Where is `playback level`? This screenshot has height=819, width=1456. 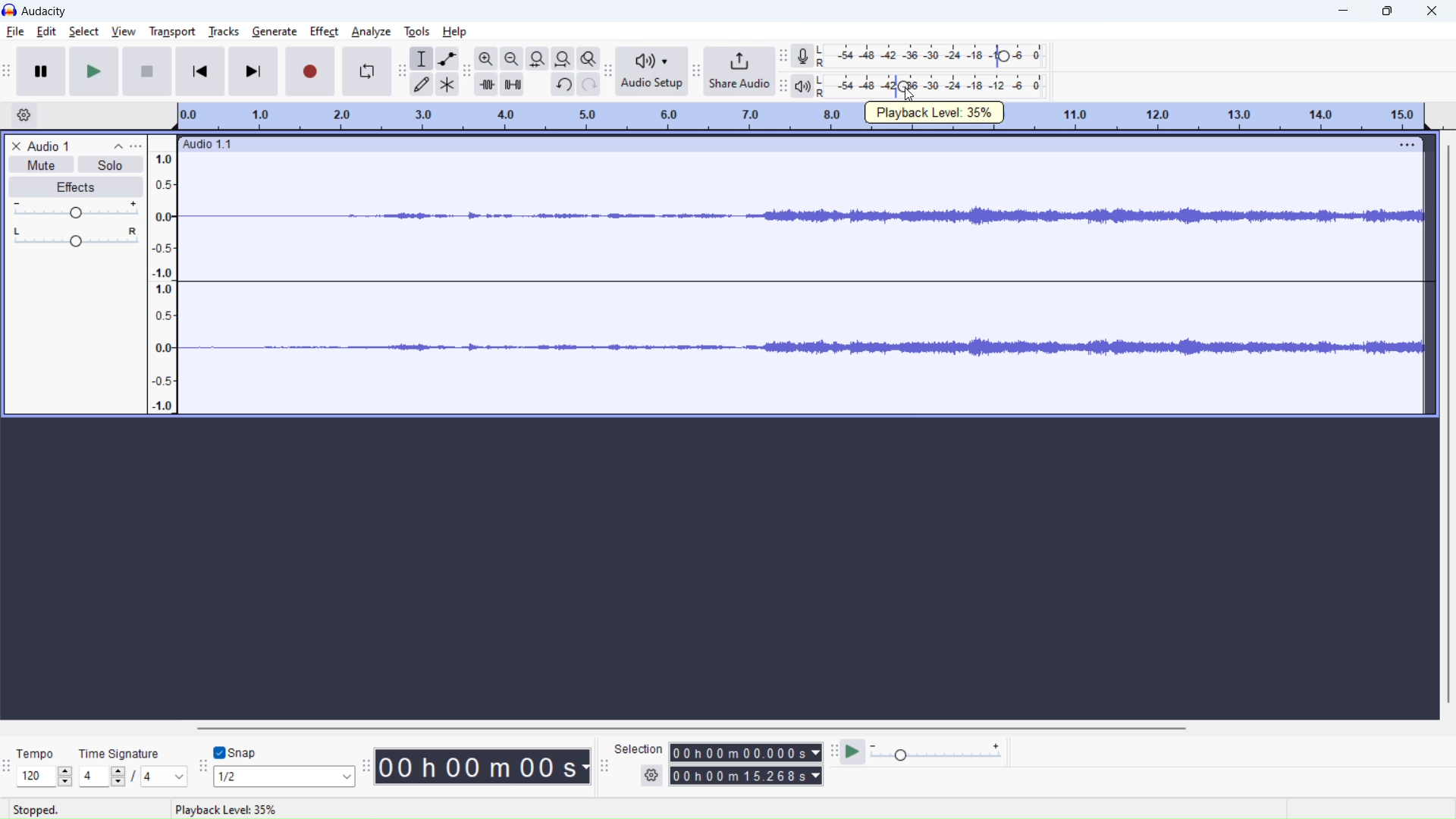
playback level is located at coordinates (930, 85).